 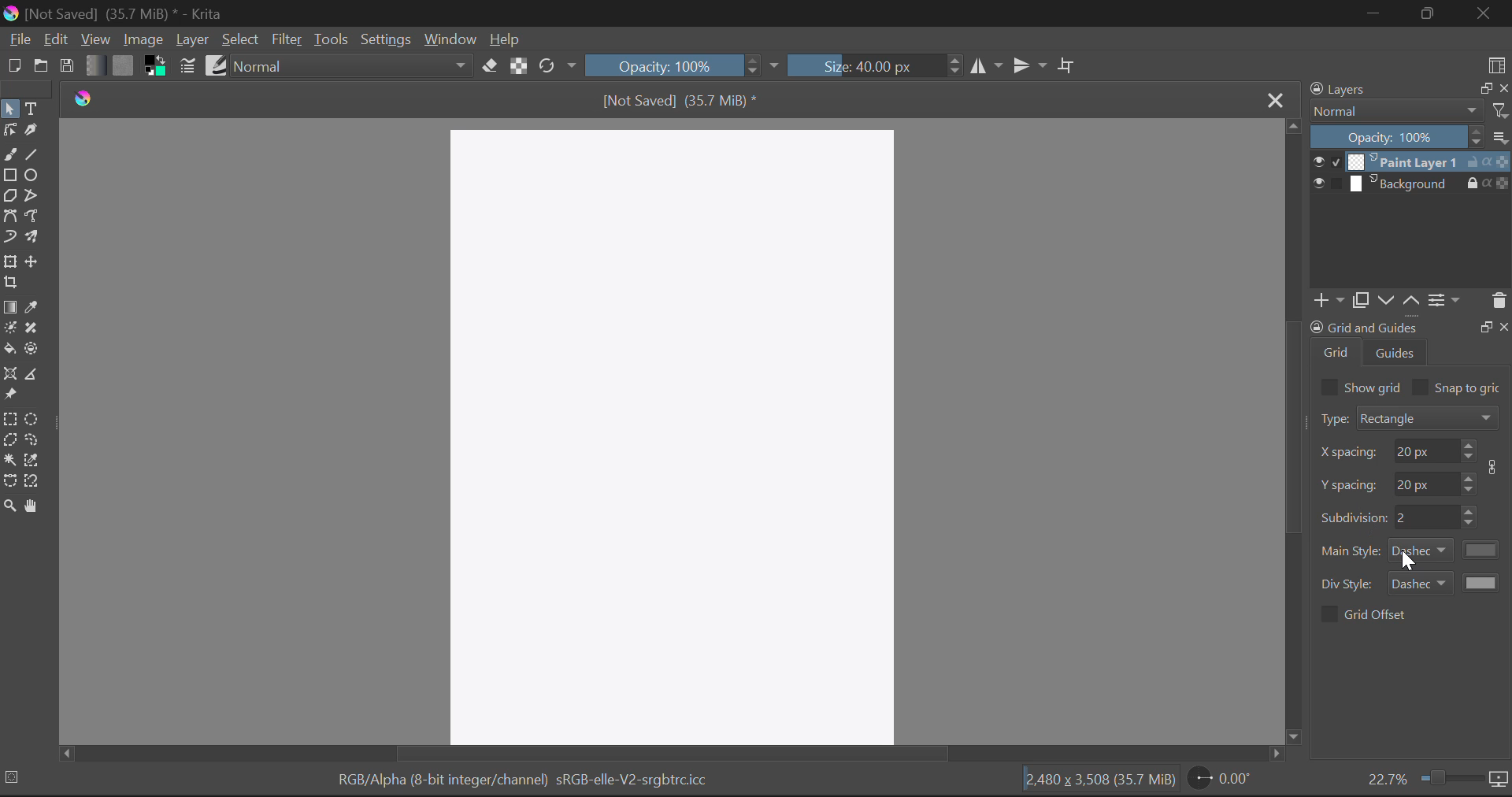 I want to click on div style, so click(x=1349, y=584).